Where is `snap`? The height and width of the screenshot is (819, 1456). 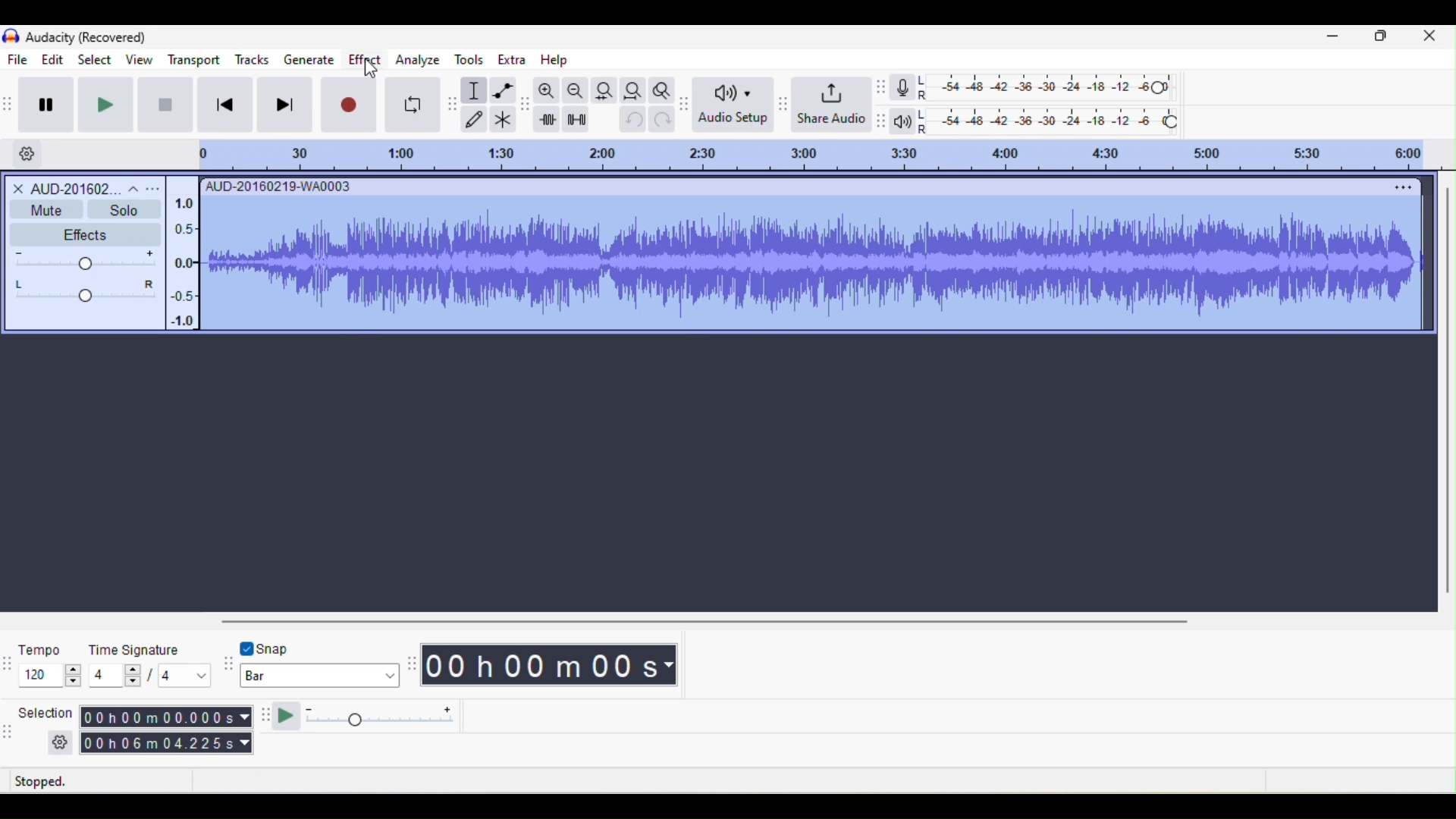 snap is located at coordinates (292, 647).